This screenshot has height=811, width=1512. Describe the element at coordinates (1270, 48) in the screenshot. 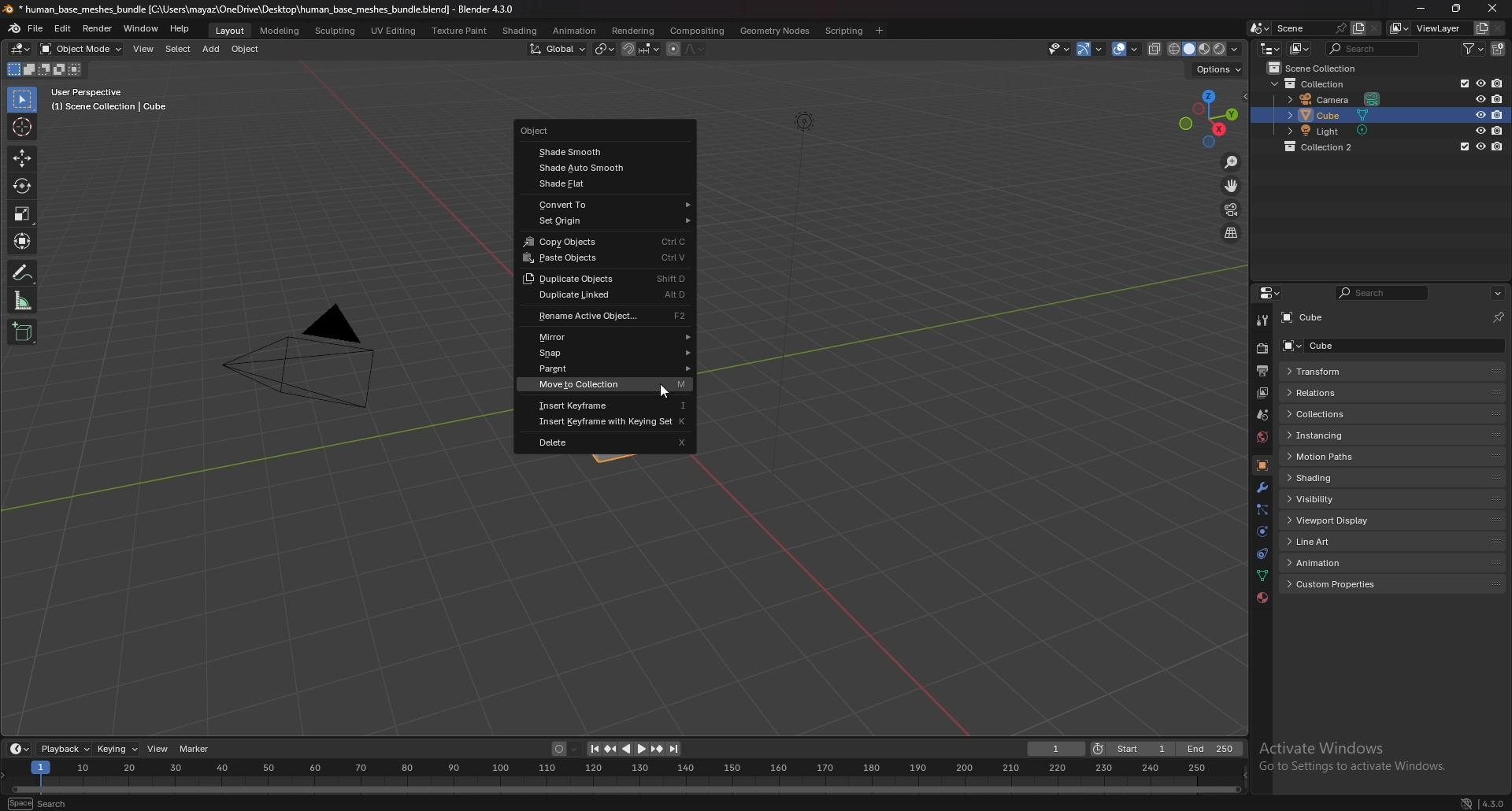

I see `editor type` at that location.